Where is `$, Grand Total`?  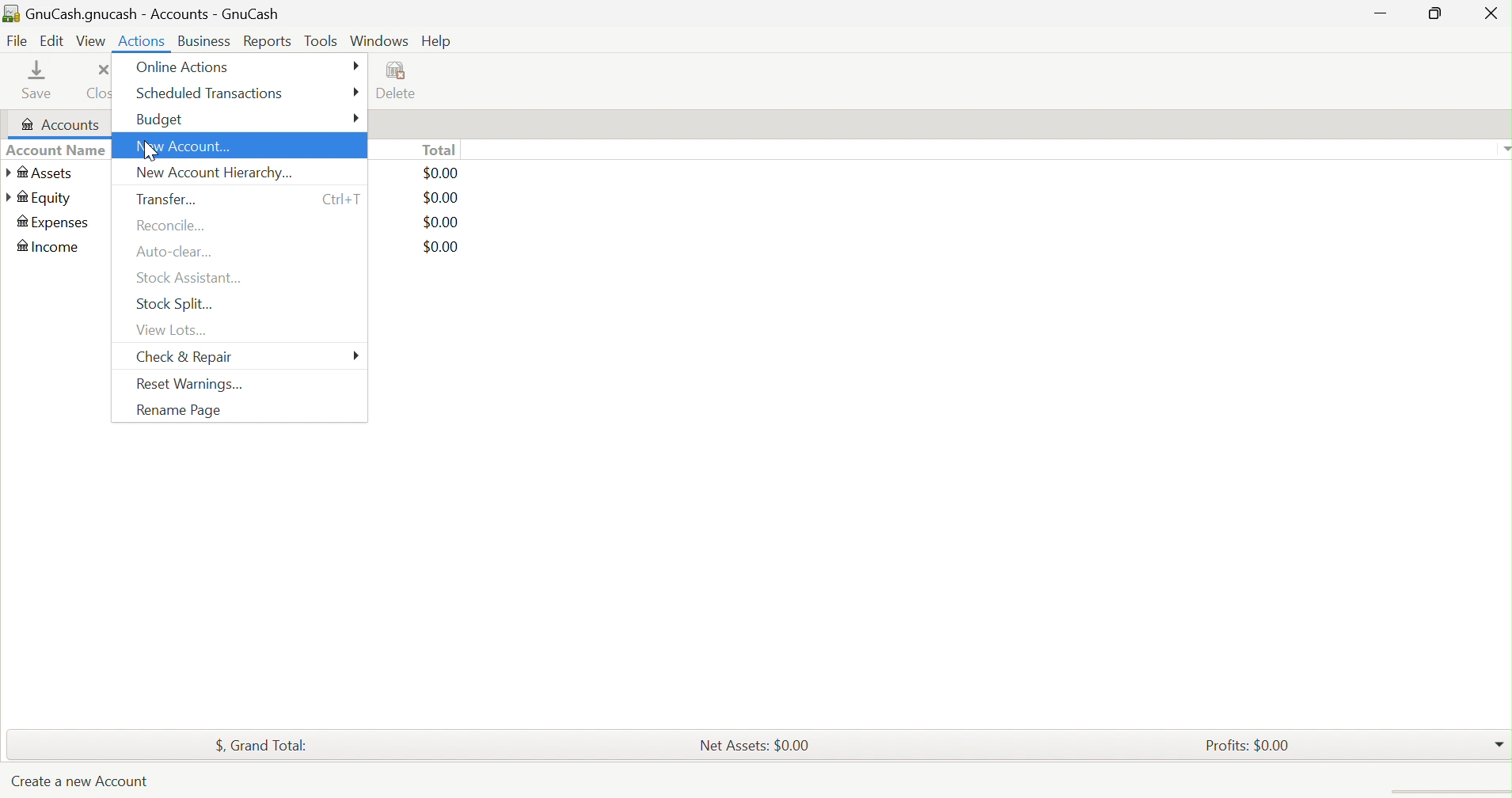
$, Grand Total is located at coordinates (262, 743).